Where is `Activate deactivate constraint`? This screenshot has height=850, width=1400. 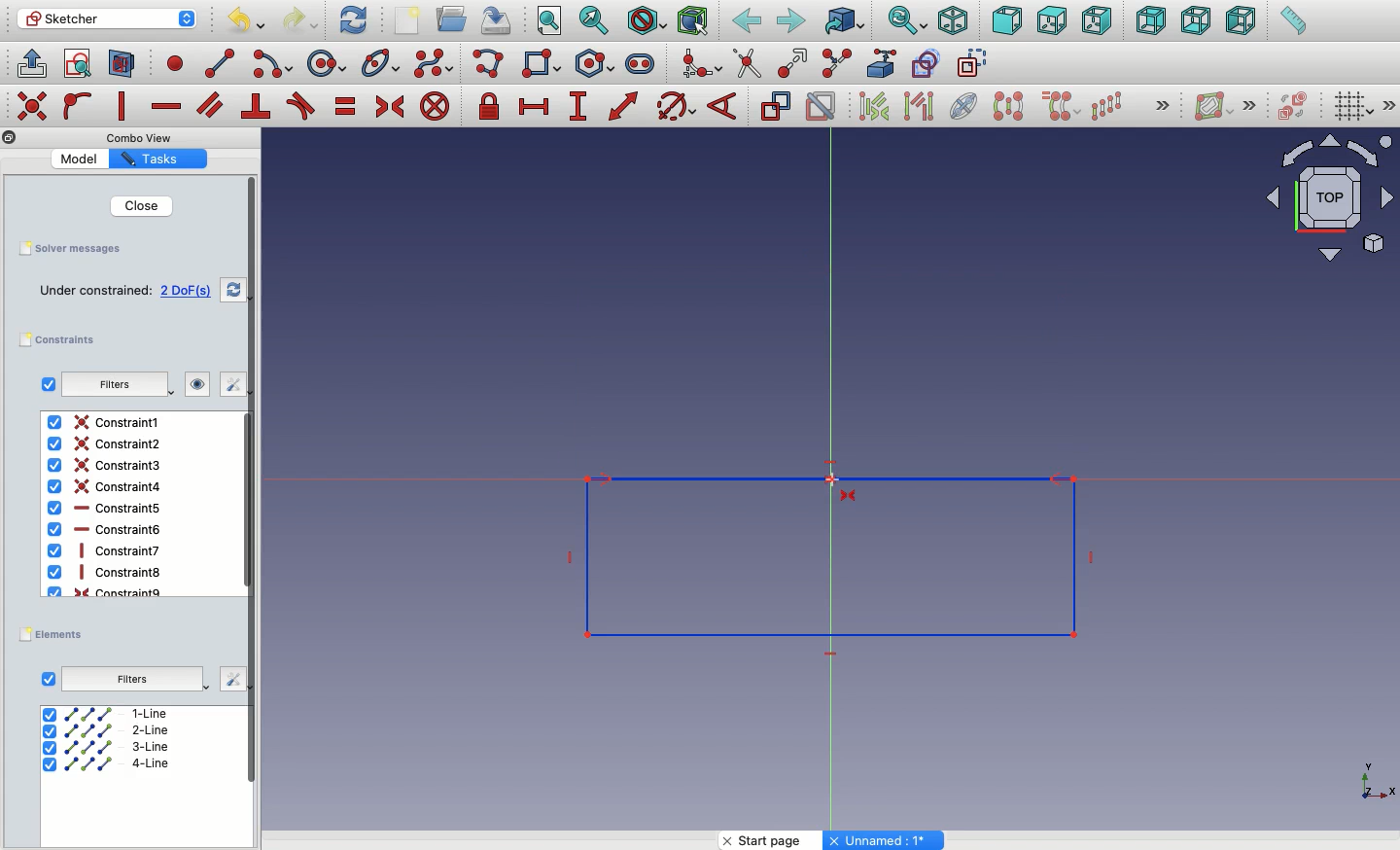
Activate deactivate constraint is located at coordinates (822, 108).